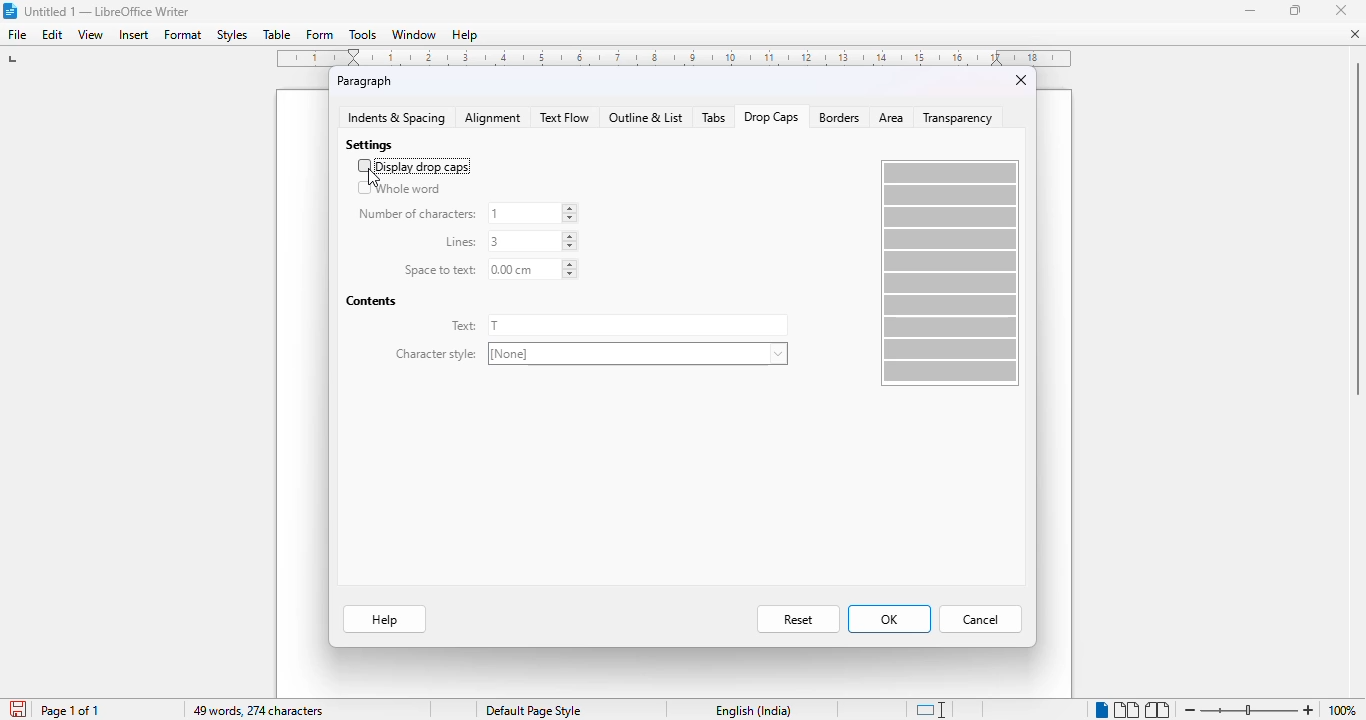 This screenshot has height=720, width=1366. I want to click on indents & spacing, so click(396, 118).